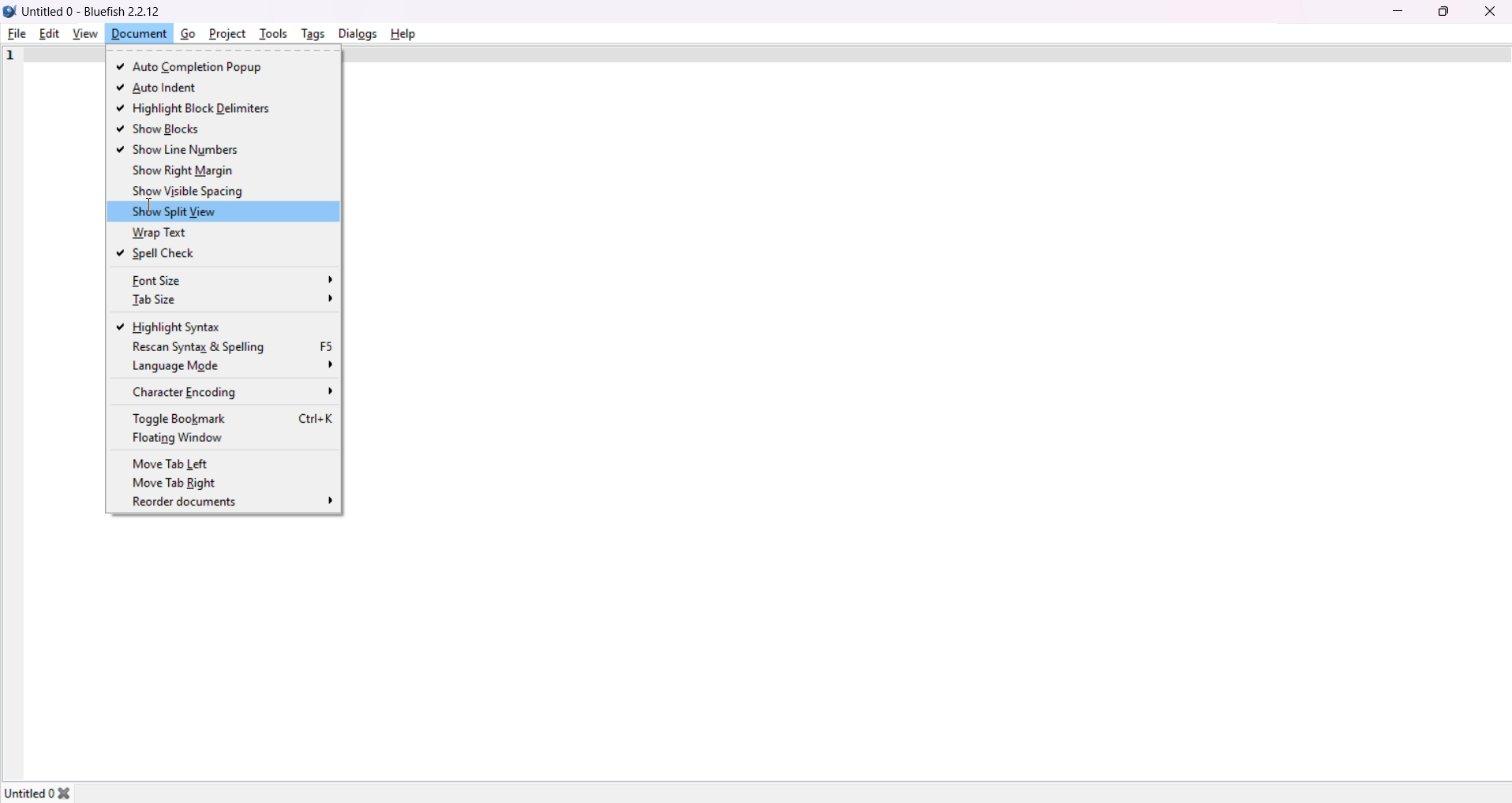  I want to click on minimize, so click(1397, 10).